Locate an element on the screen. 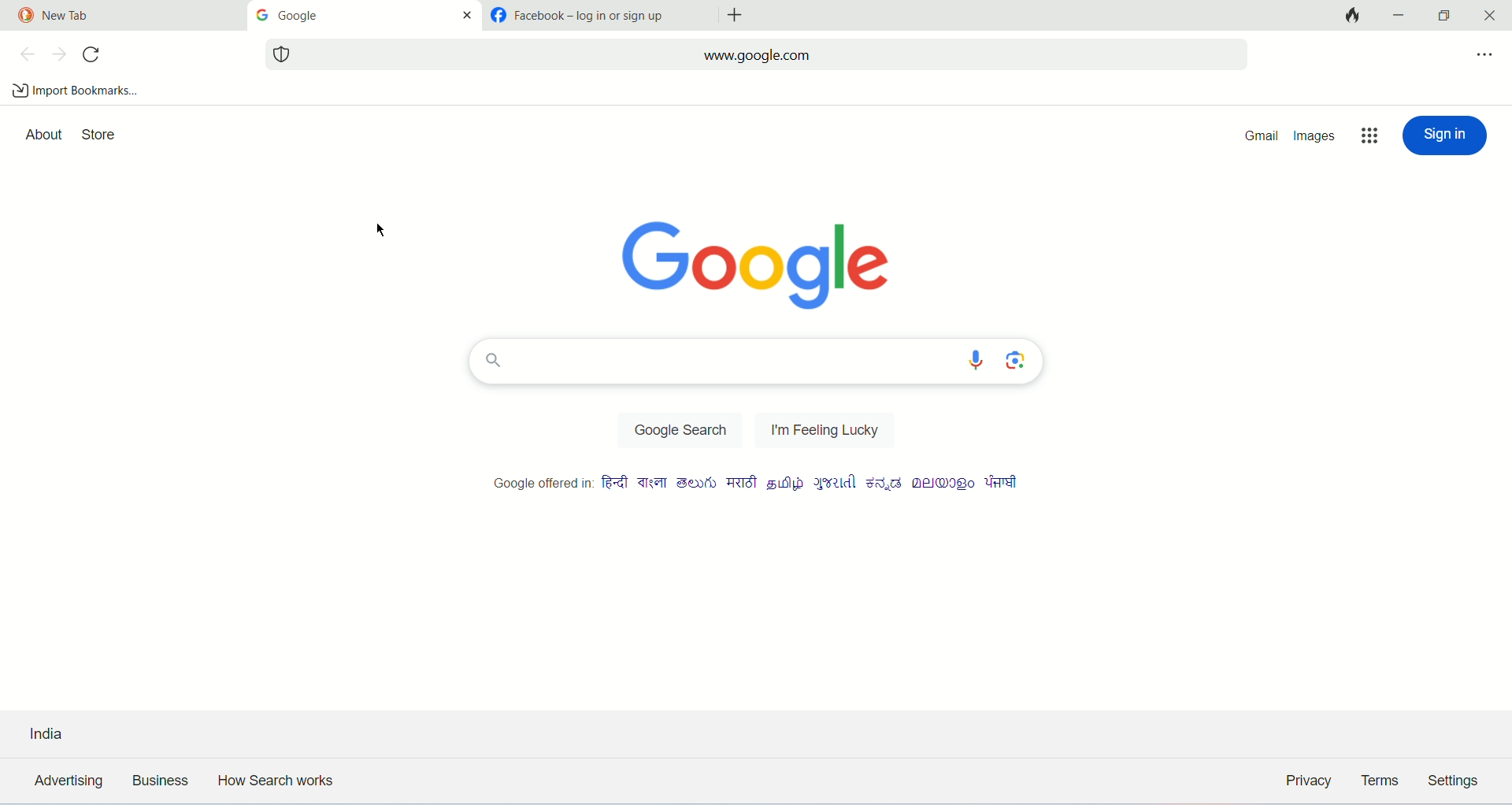 This screenshot has width=1512, height=805. how search works is located at coordinates (278, 782).